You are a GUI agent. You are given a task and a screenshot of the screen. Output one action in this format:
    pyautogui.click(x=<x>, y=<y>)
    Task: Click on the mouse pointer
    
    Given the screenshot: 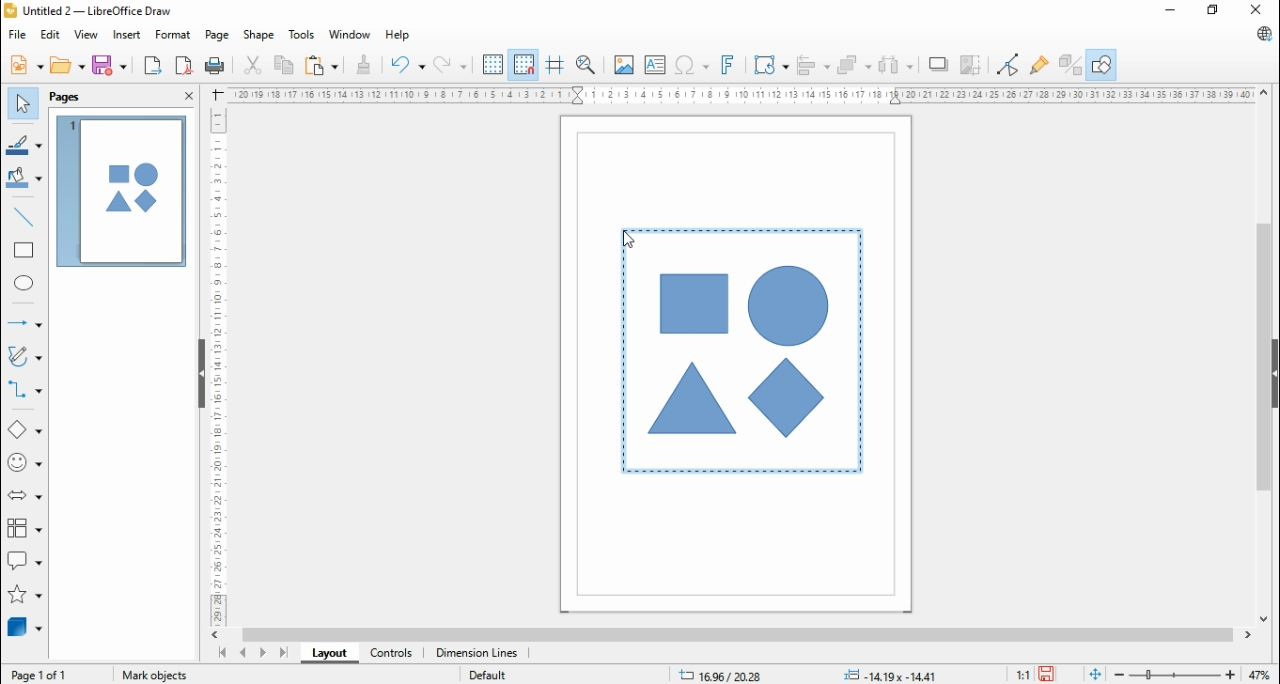 What is the action you would take?
    pyautogui.click(x=627, y=237)
    